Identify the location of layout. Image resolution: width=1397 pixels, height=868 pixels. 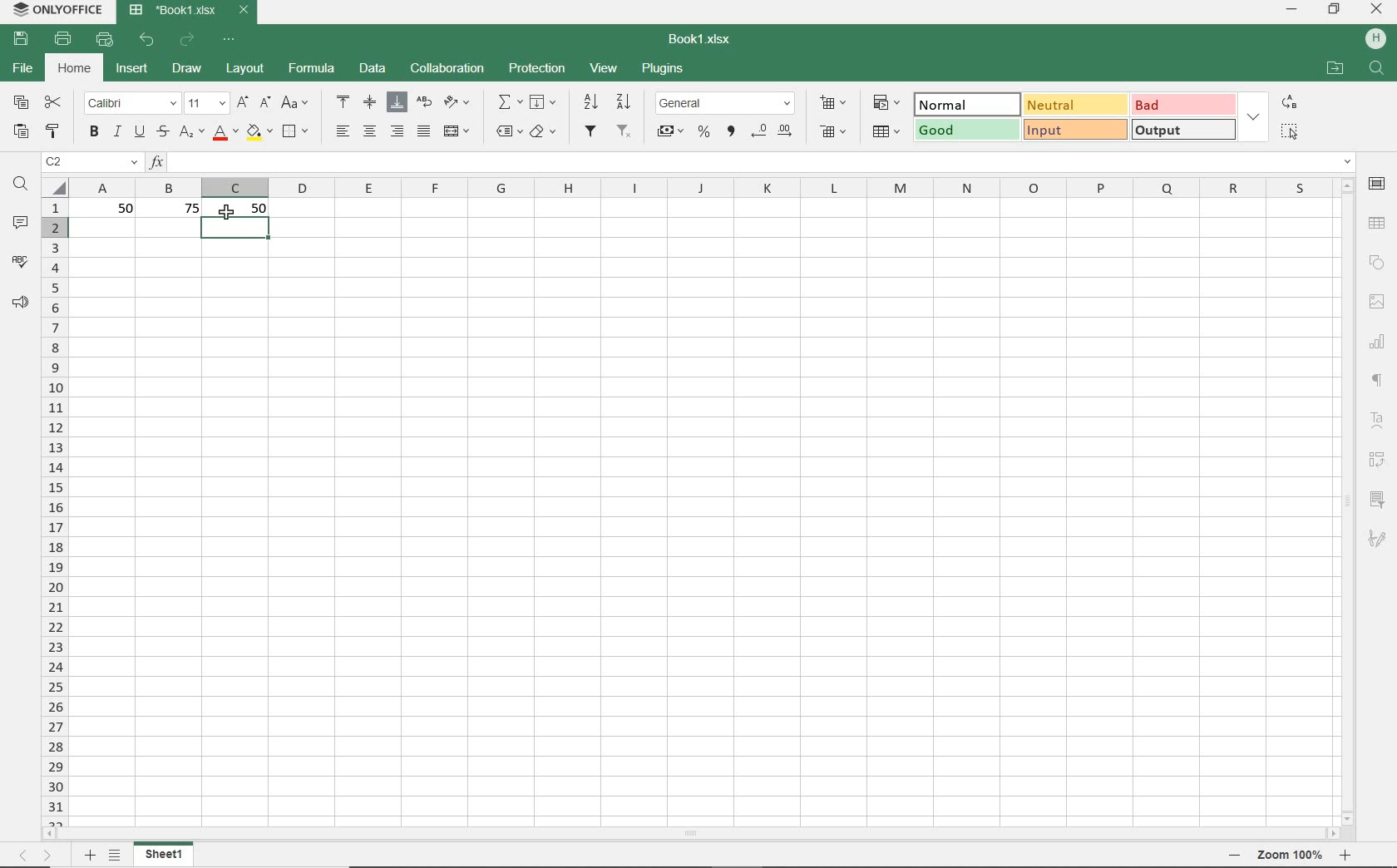
(243, 69).